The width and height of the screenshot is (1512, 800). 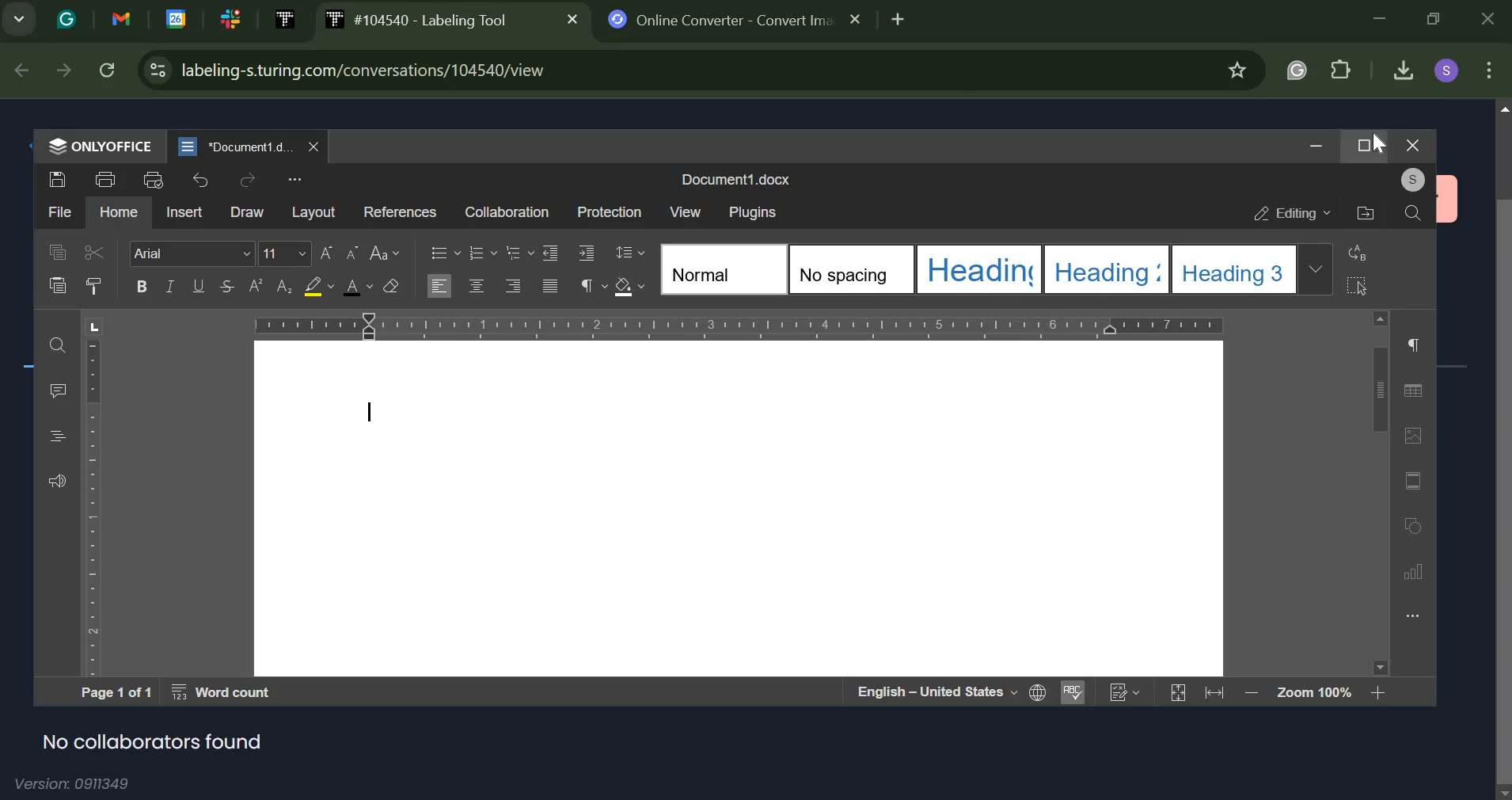 What do you see at coordinates (193, 252) in the screenshot?
I see `Arial` at bounding box center [193, 252].